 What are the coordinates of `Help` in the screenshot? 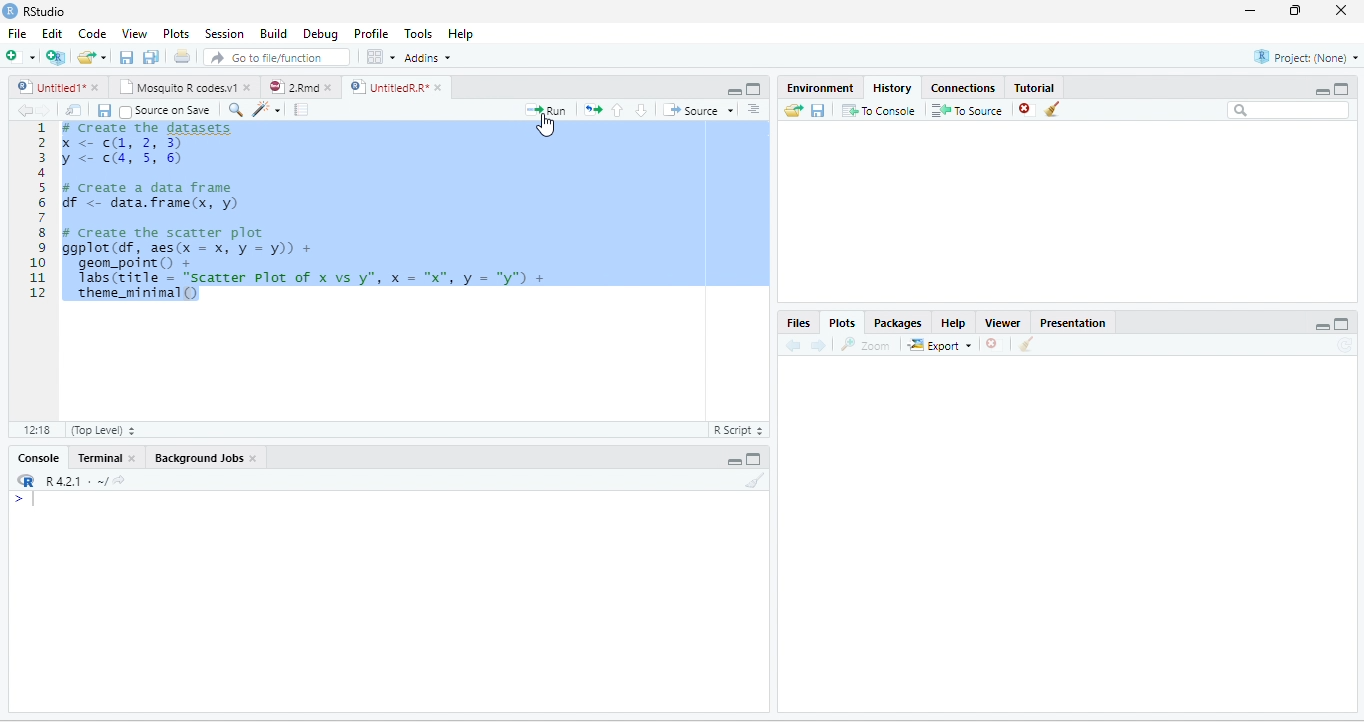 It's located at (953, 322).